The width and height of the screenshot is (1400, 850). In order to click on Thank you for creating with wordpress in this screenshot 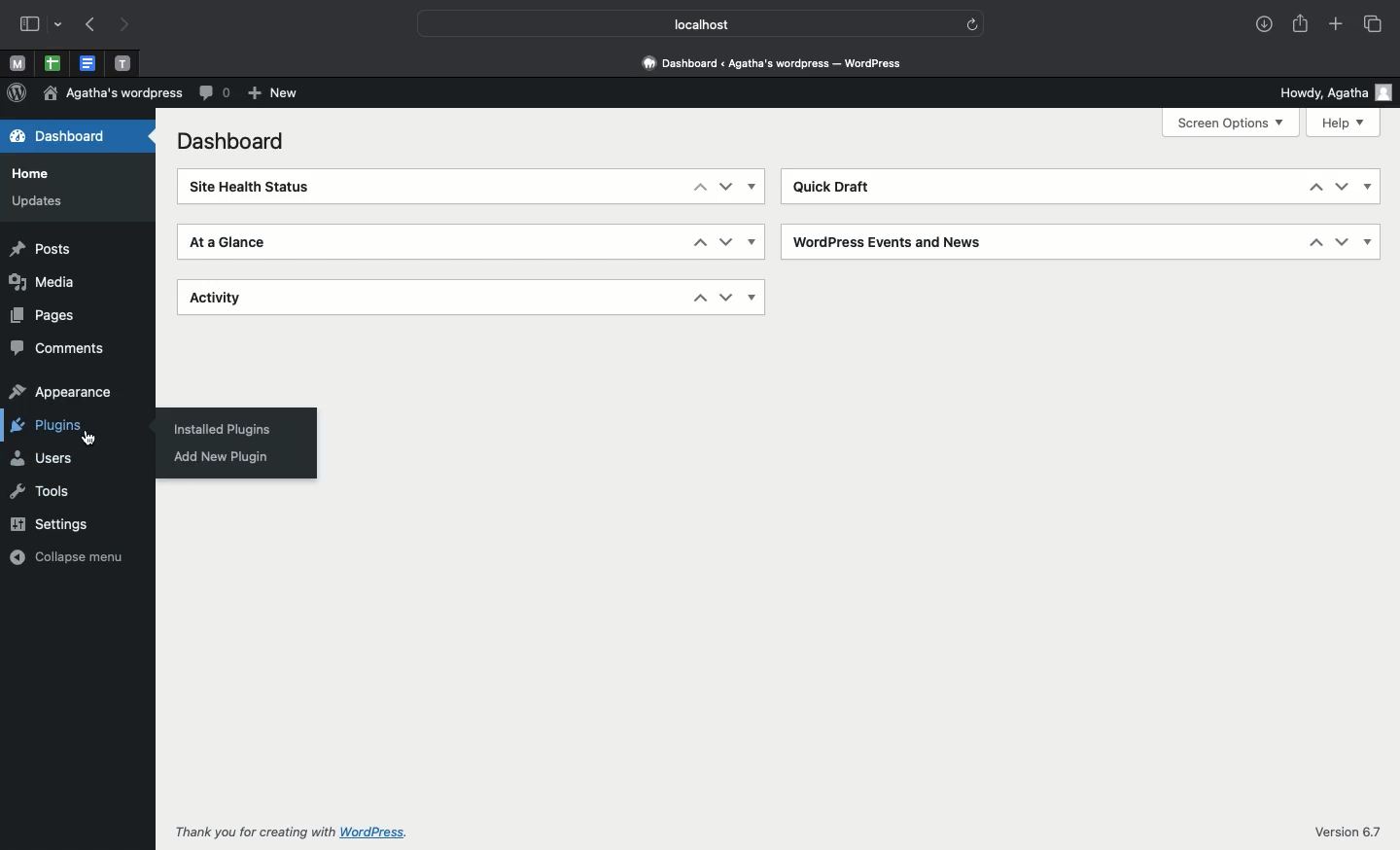, I will do `click(286, 833)`.